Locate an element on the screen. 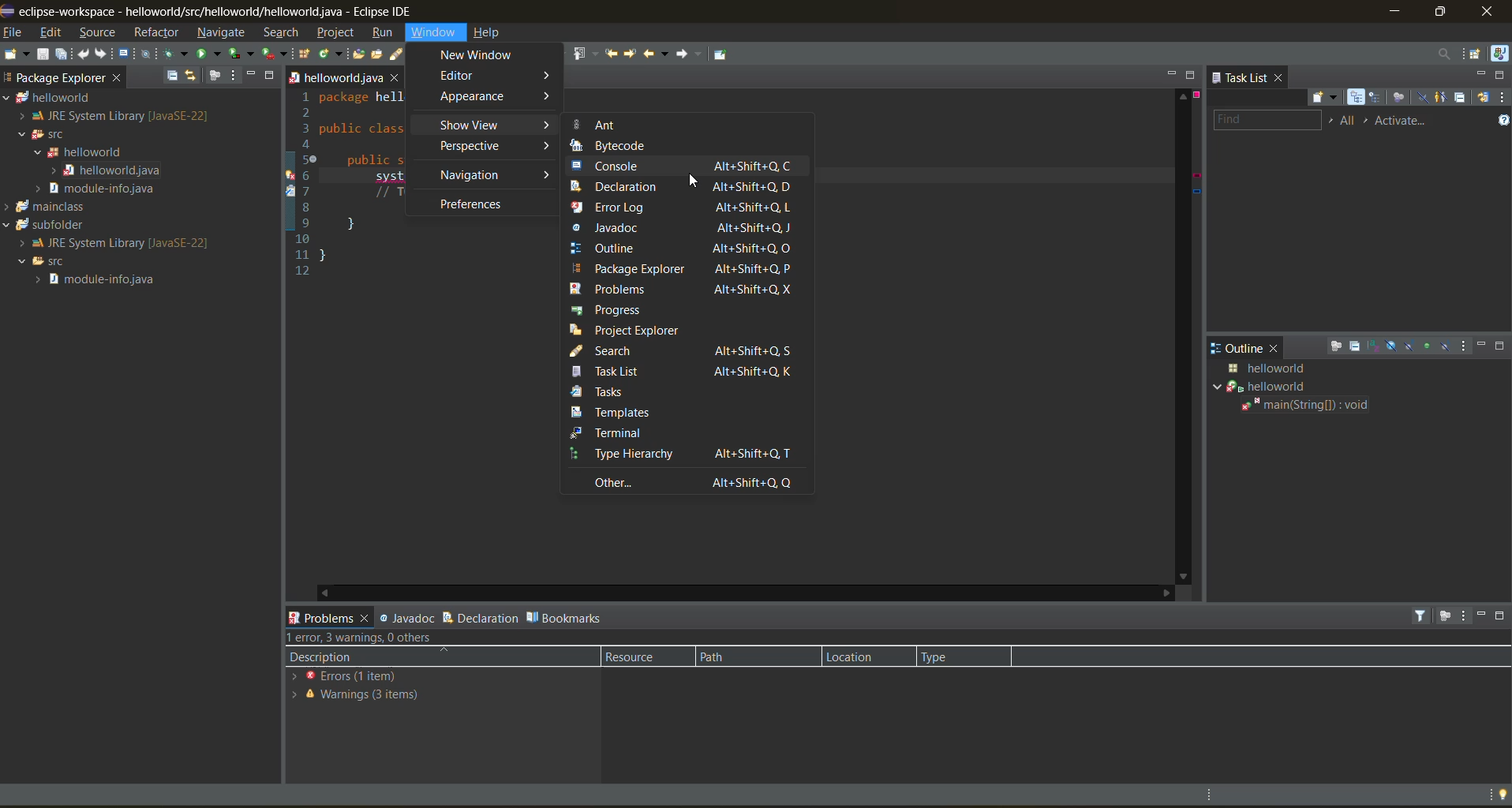  refractor is located at coordinates (155, 31).